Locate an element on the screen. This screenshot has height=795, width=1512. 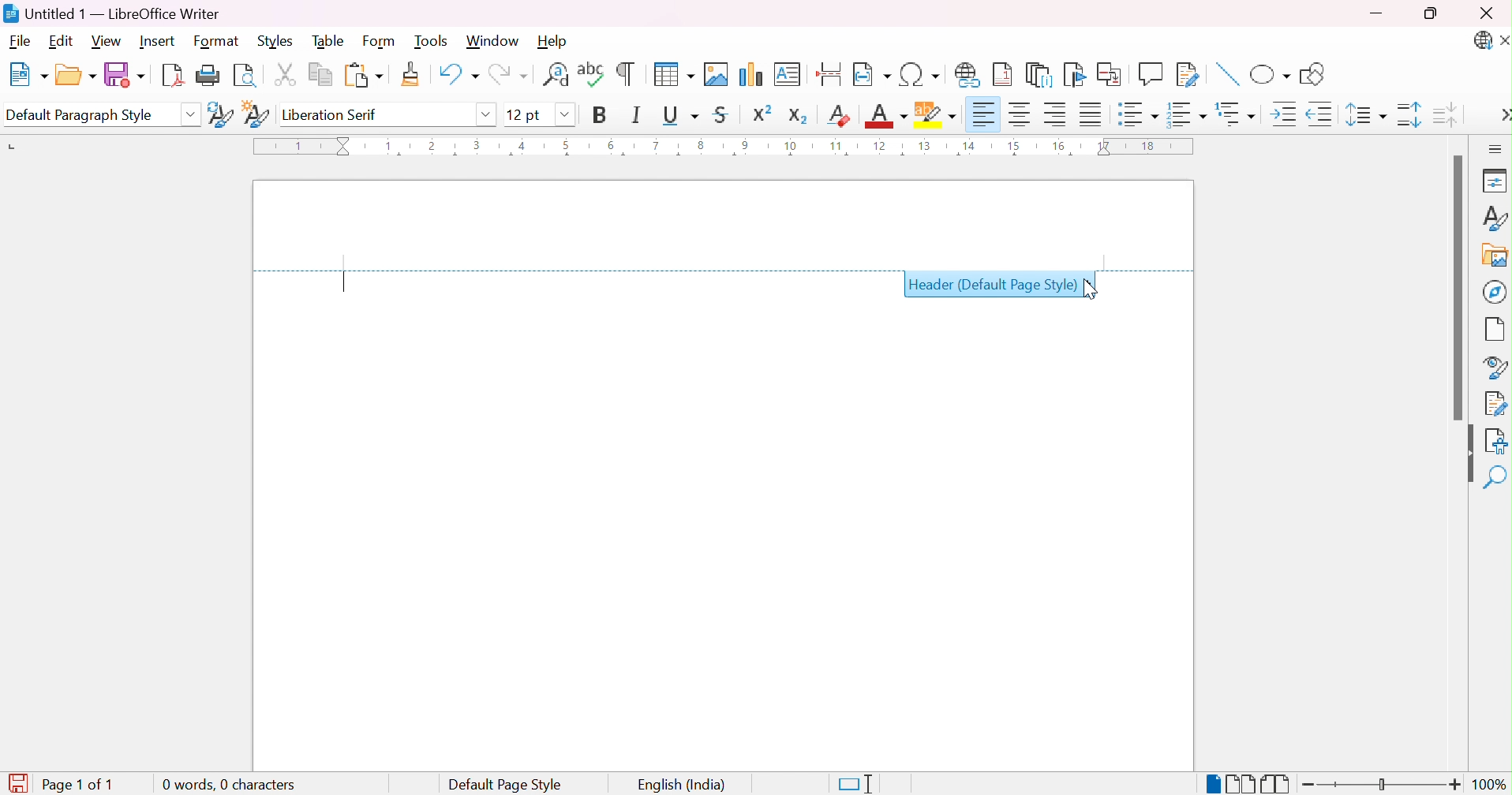
Cut is located at coordinates (287, 73).